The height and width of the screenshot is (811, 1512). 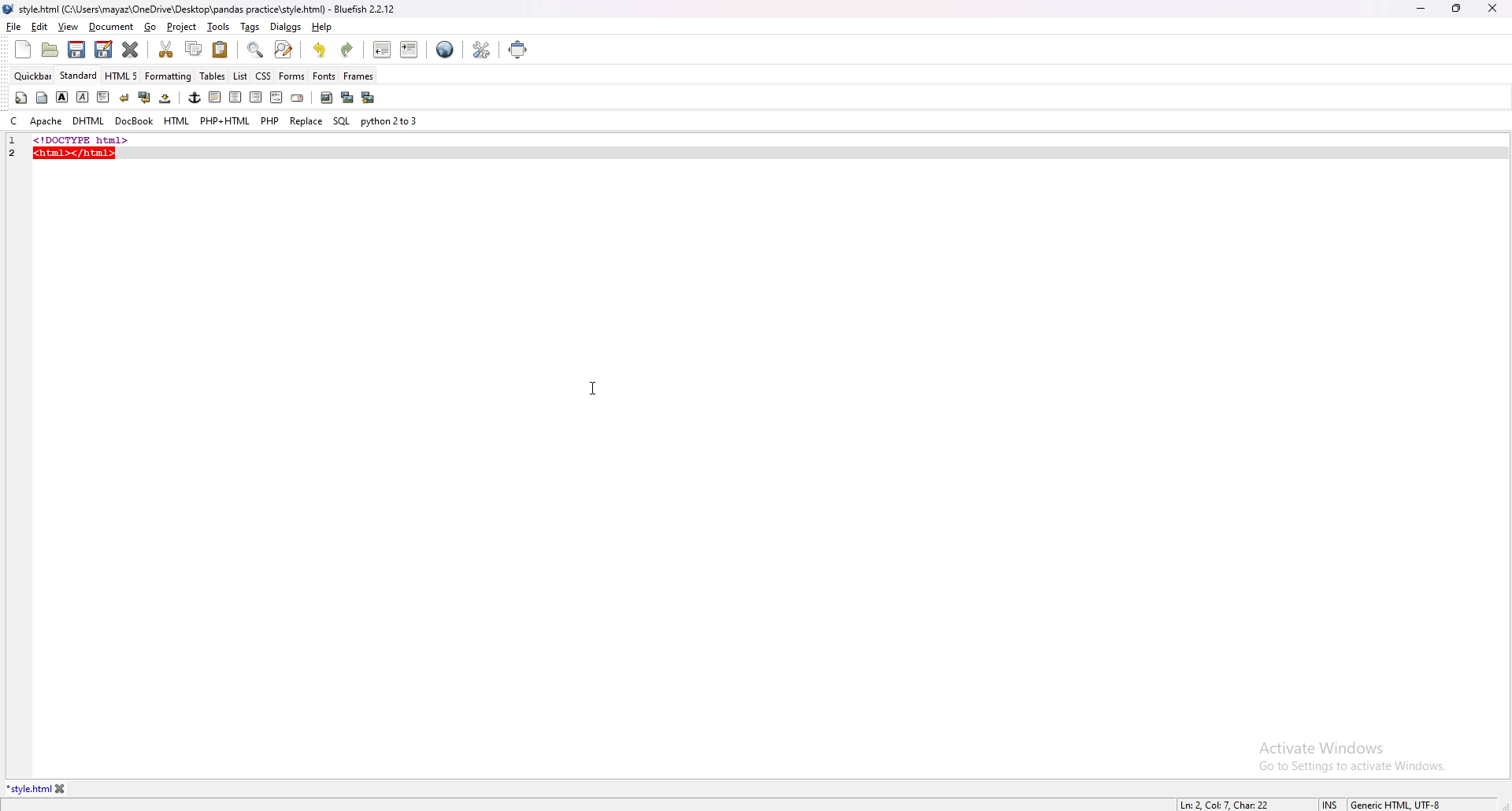 What do you see at coordinates (225, 121) in the screenshot?
I see `php+html` at bounding box center [225, 121].